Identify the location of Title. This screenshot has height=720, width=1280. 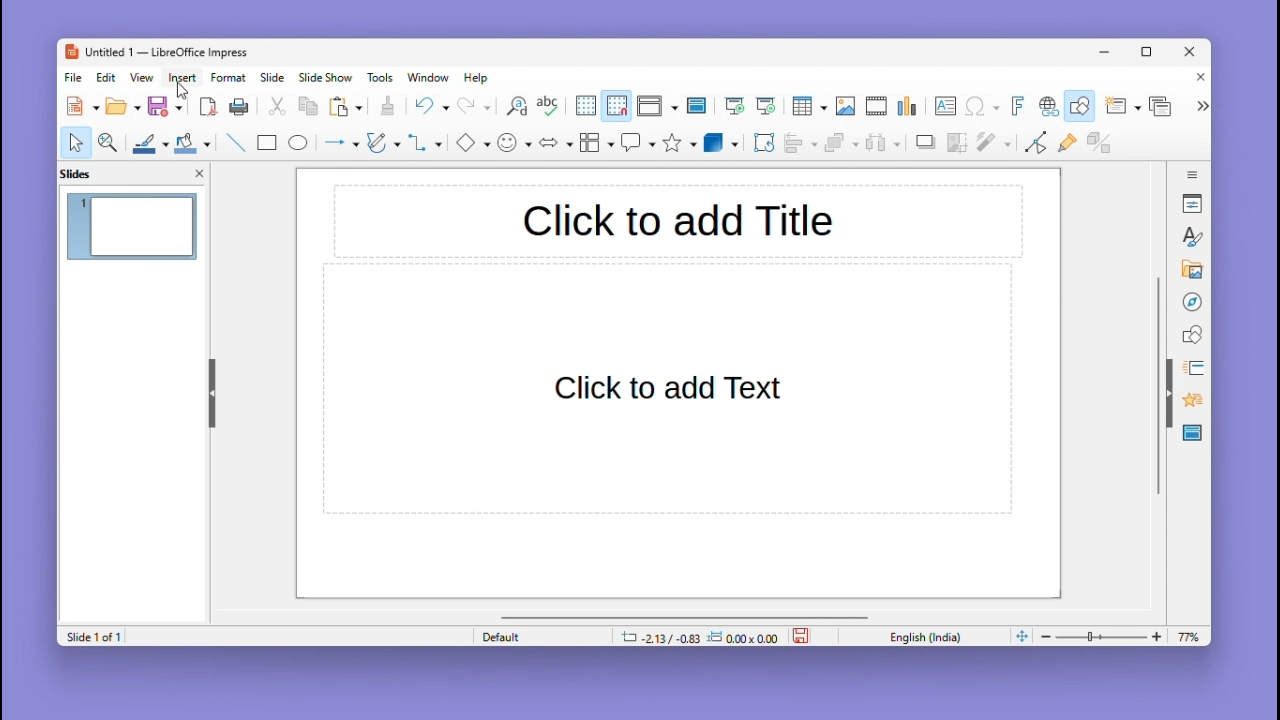
(678, 220).